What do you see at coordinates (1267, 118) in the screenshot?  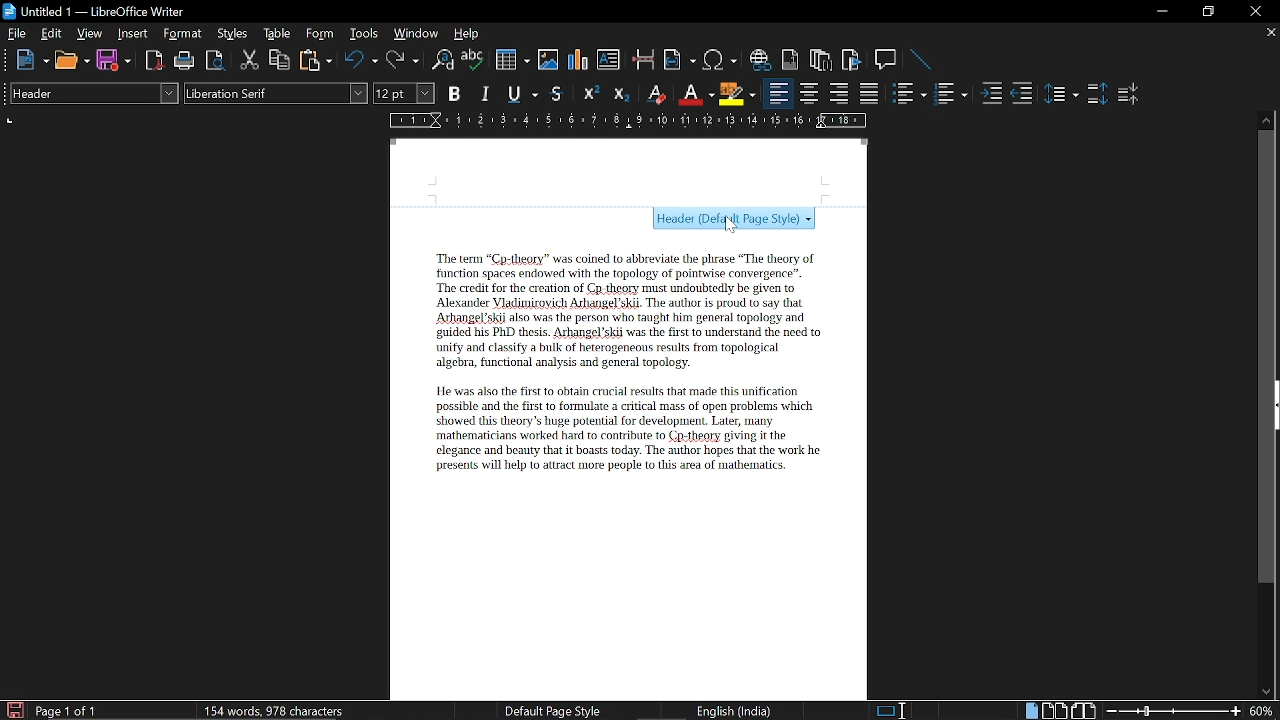 I see `Move up` at bounding box center [1267, 118].